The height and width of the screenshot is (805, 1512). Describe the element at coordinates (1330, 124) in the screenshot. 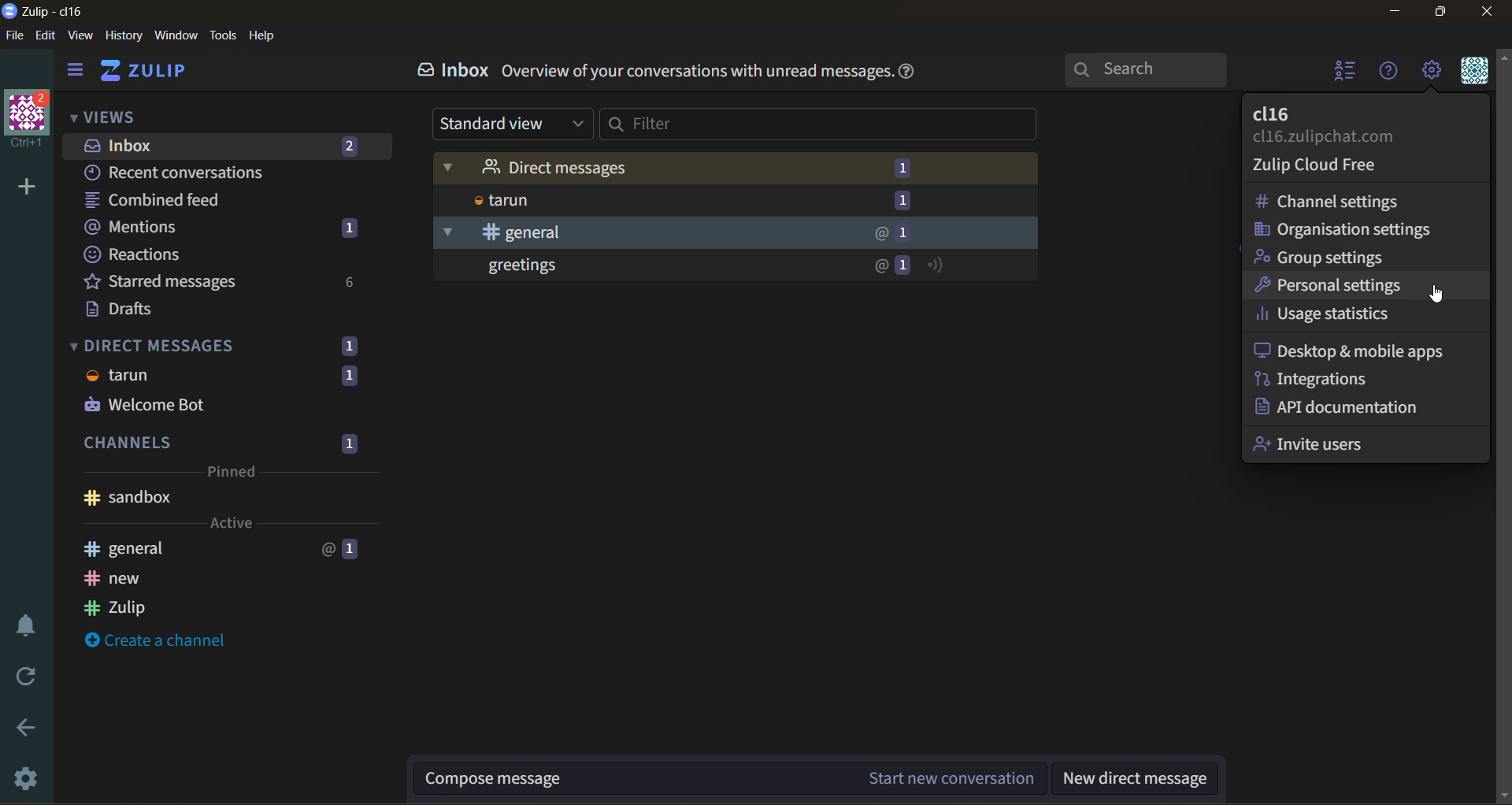

I see `profile` at that location.